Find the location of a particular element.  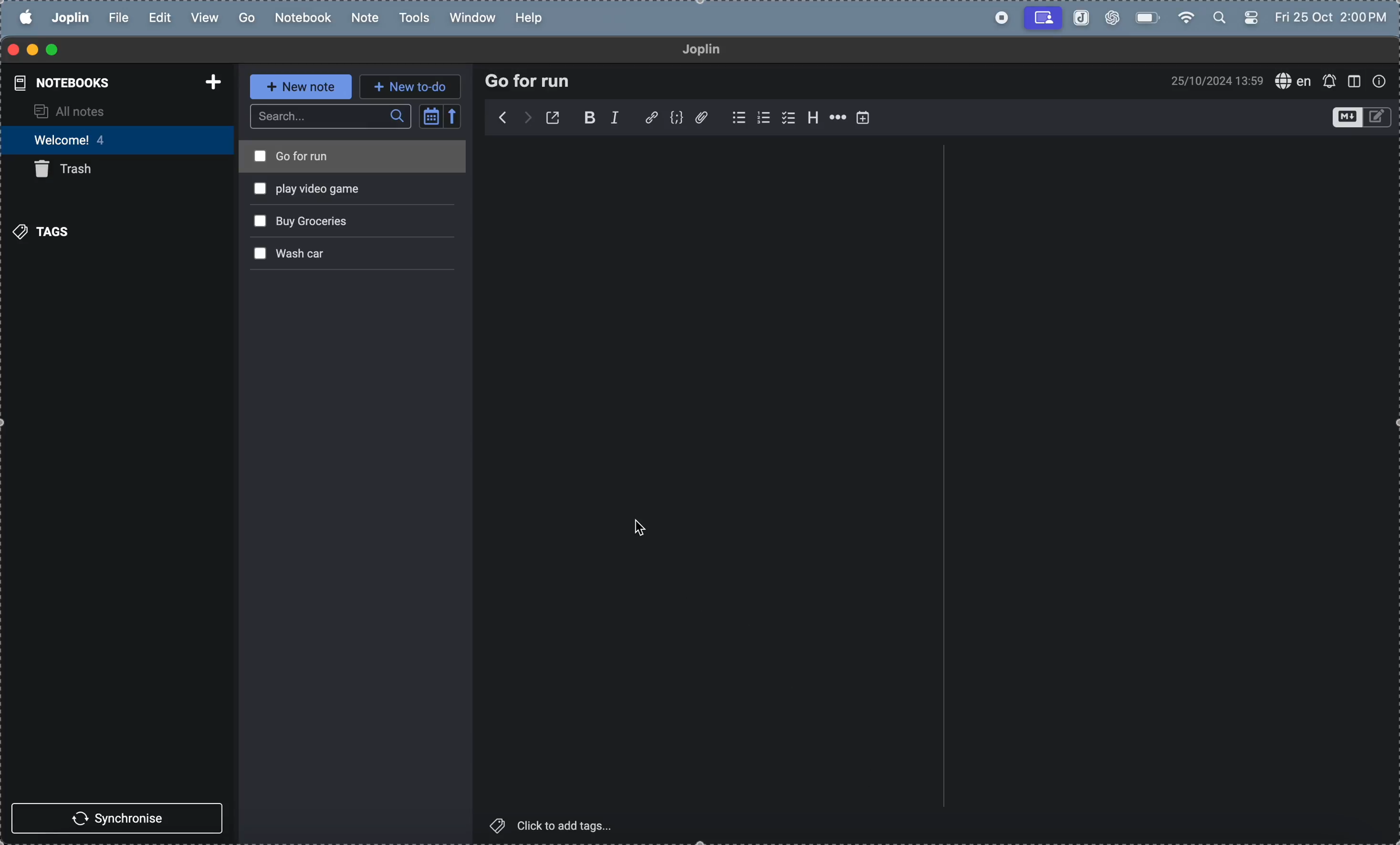

Search bar is located at coordinates (331, 116).